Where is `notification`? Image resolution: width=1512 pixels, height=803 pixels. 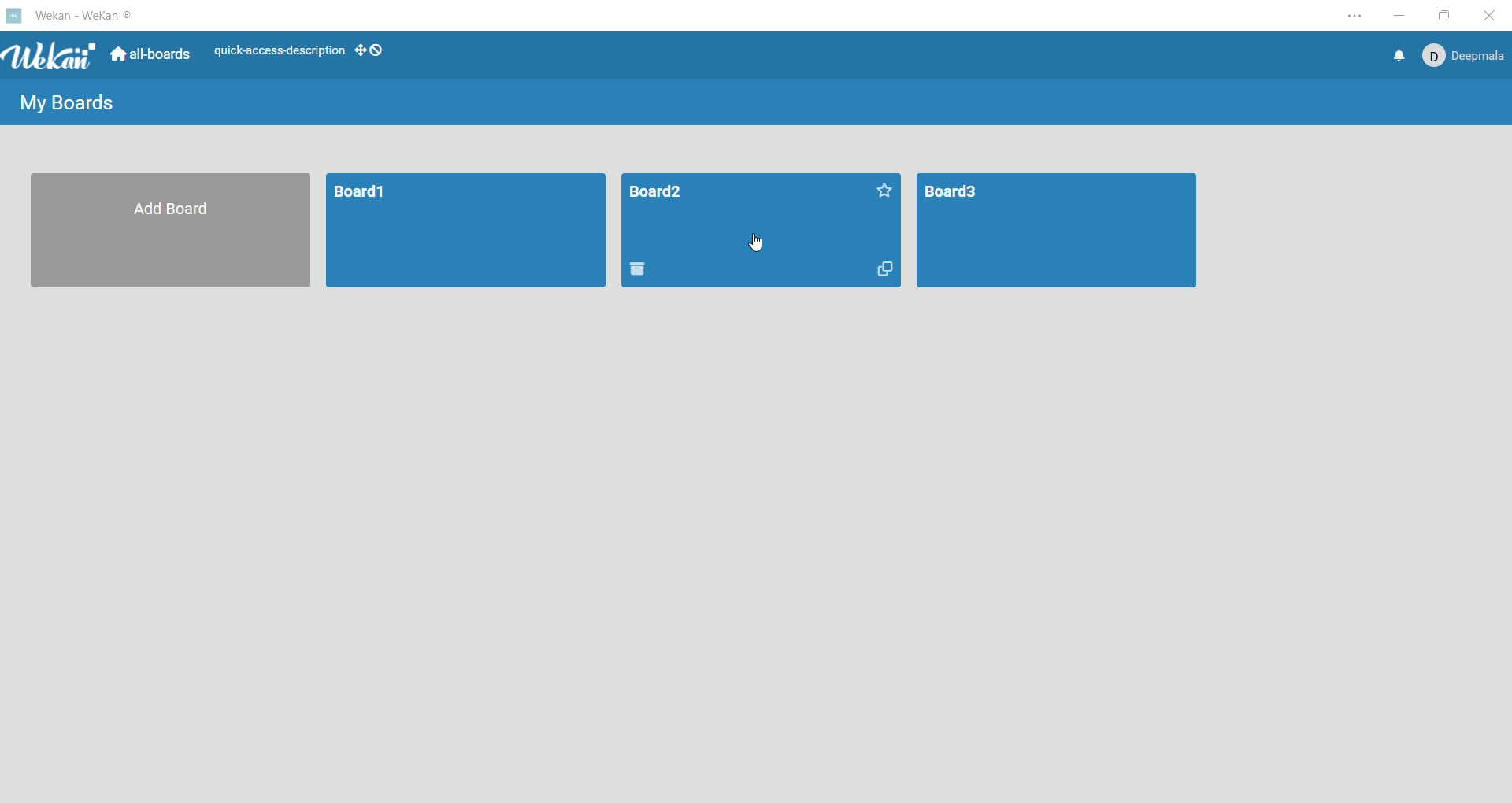
notification is located at coordinates (1395, 58).